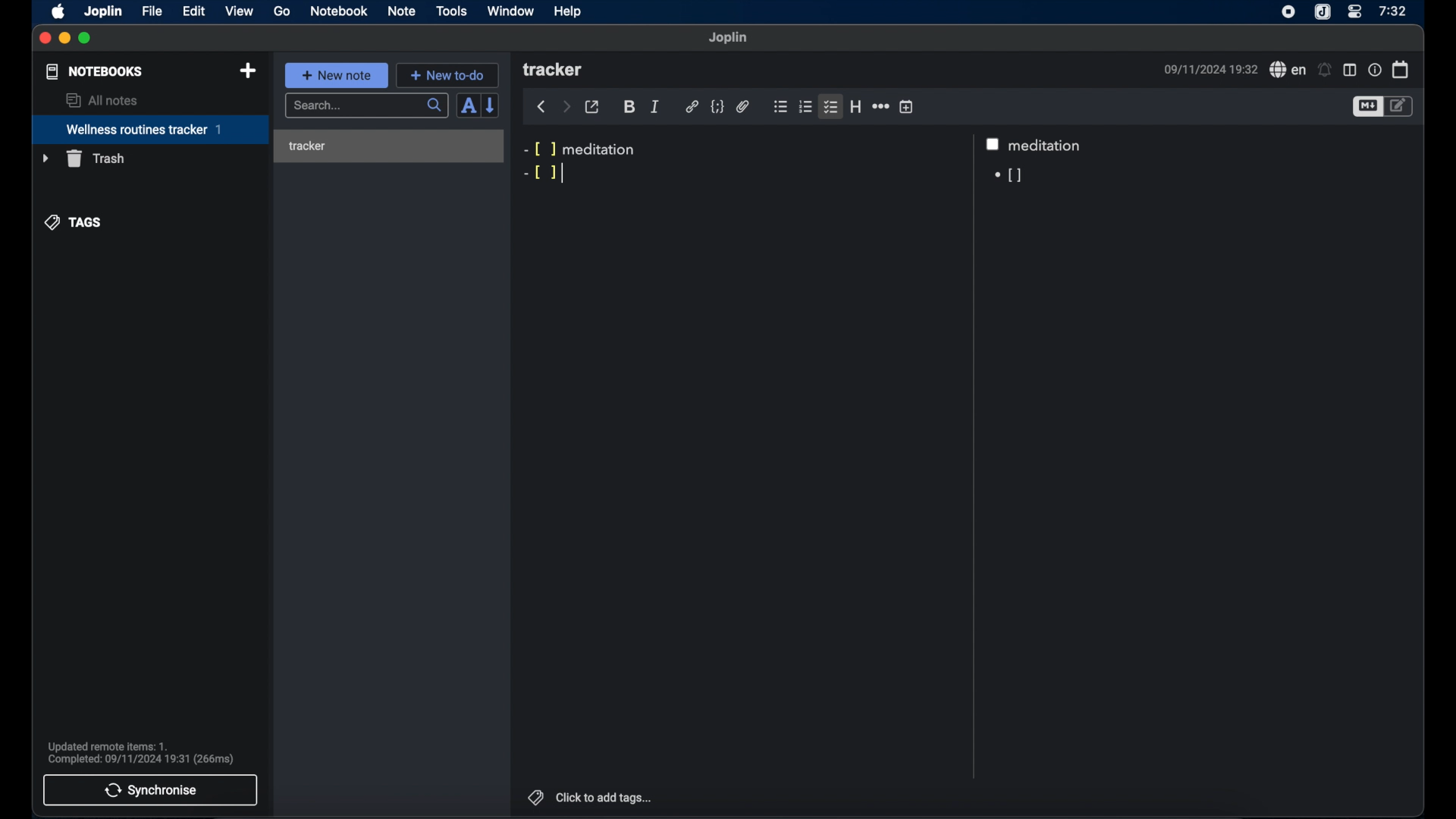 The width and height of the screenshot is (1456, 819). I want to click on horizontal rule, so click(880, 106).